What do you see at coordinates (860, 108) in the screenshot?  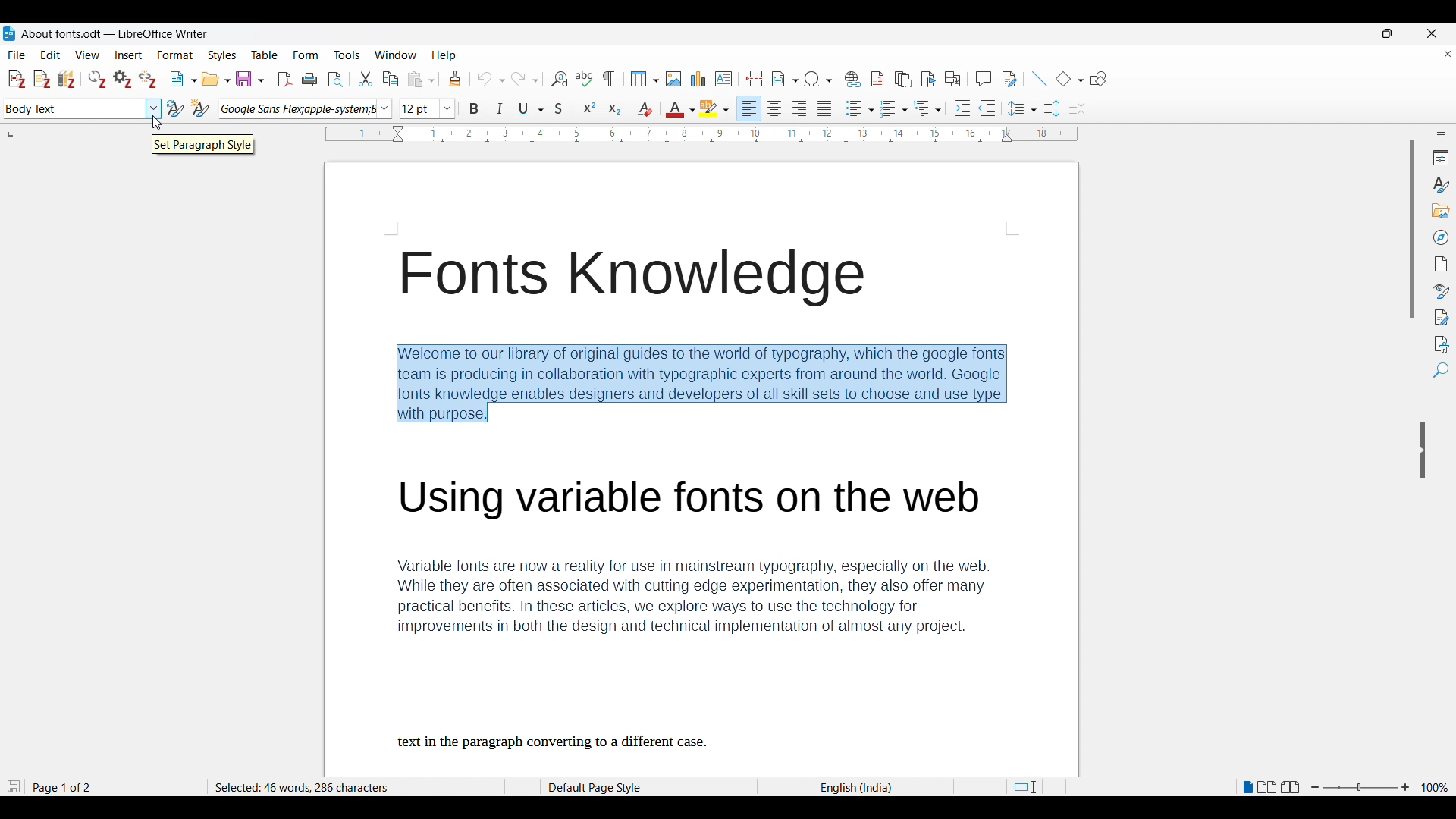 I see `Toggle unordered list` at bounding box center [860, 108].